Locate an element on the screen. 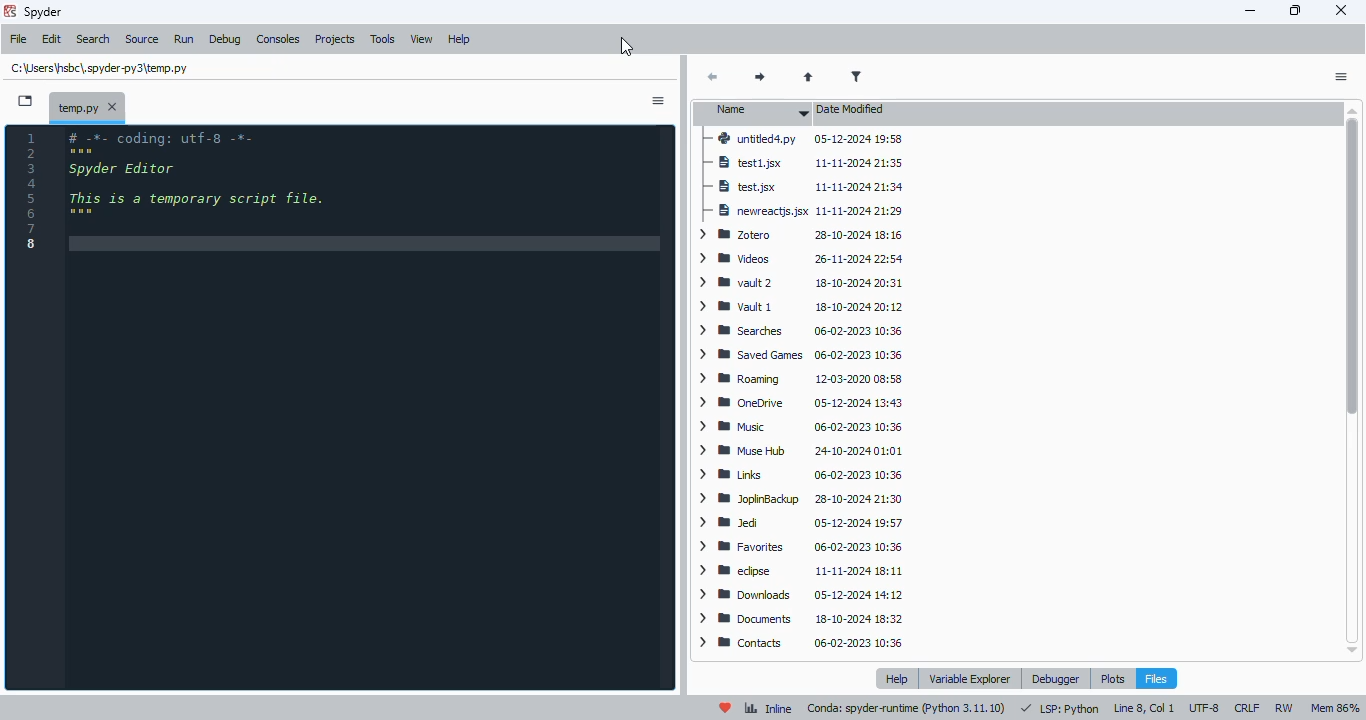 This screenshot has width=1366, height=720. date modified is located at coordinates (854, 110).